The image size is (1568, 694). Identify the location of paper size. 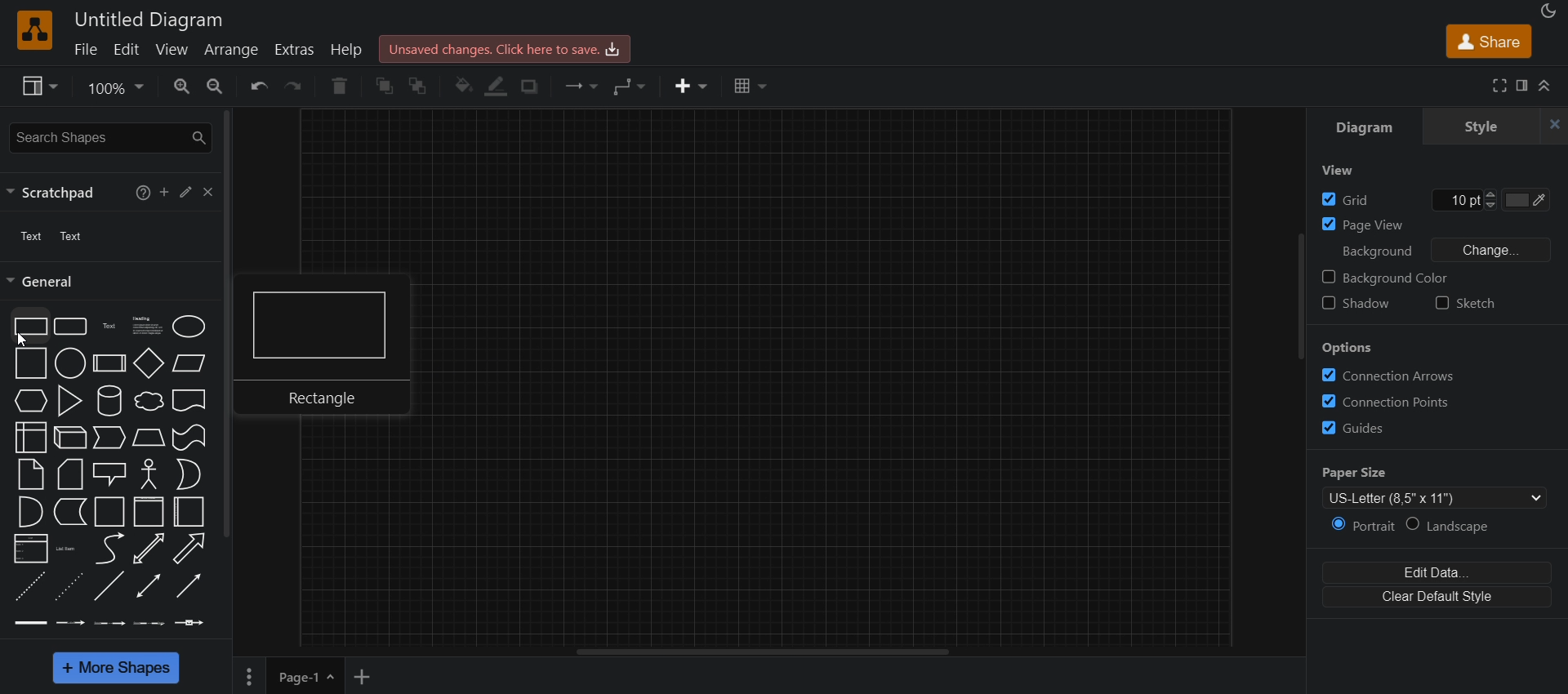
(1360, 469).